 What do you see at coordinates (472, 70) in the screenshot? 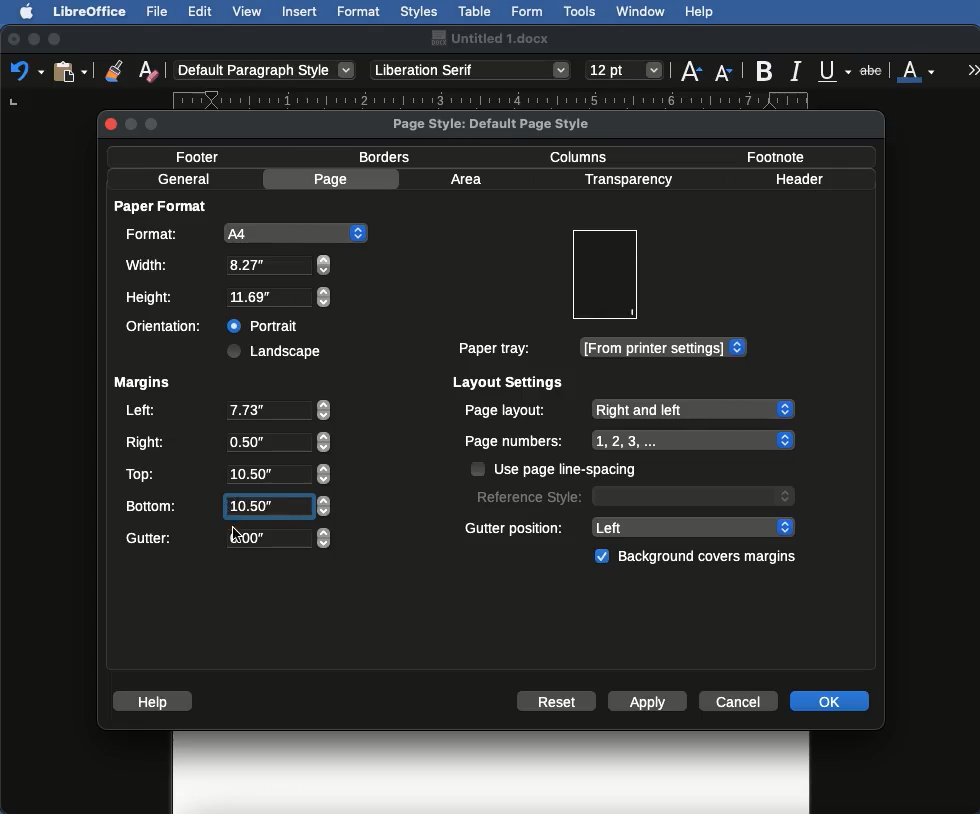
I see `Font style` at bounding box center [472, 70].